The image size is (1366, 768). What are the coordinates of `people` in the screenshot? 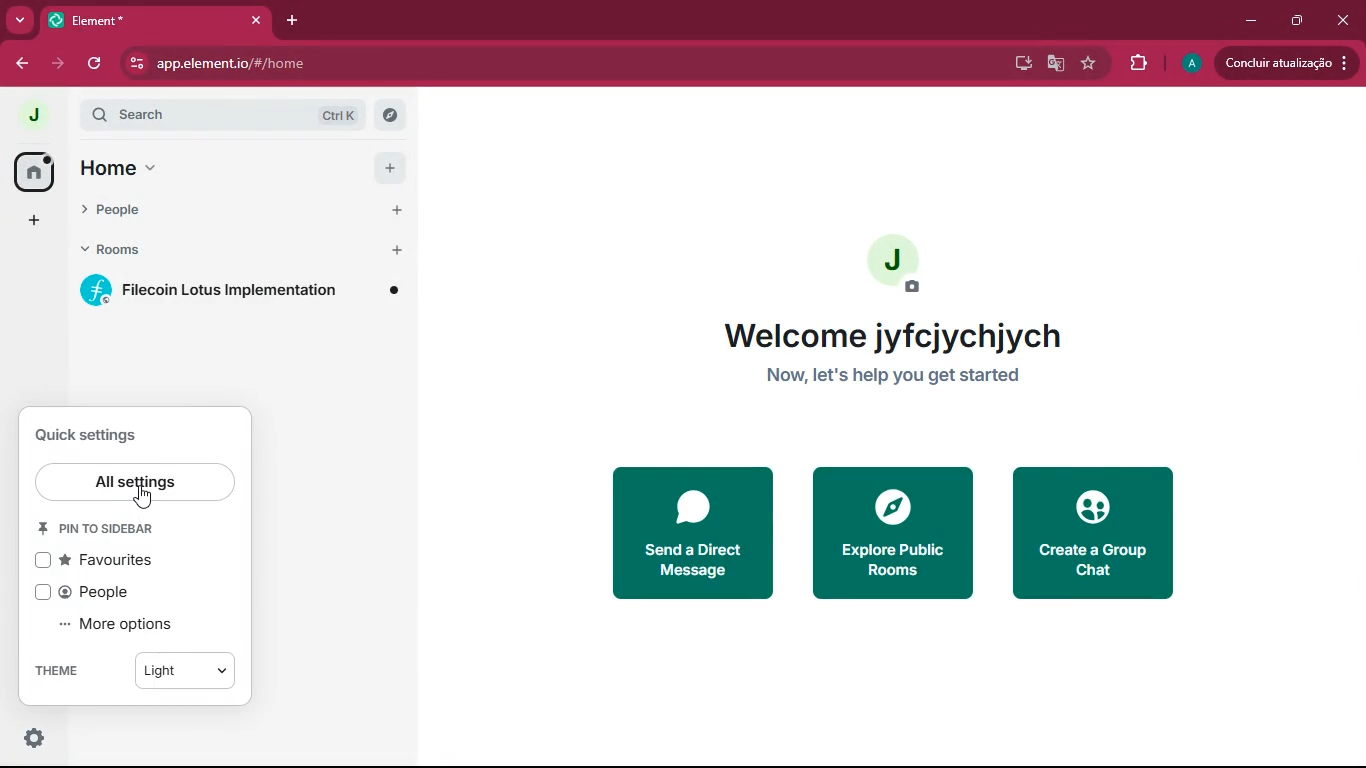 It's located at (236, 212).